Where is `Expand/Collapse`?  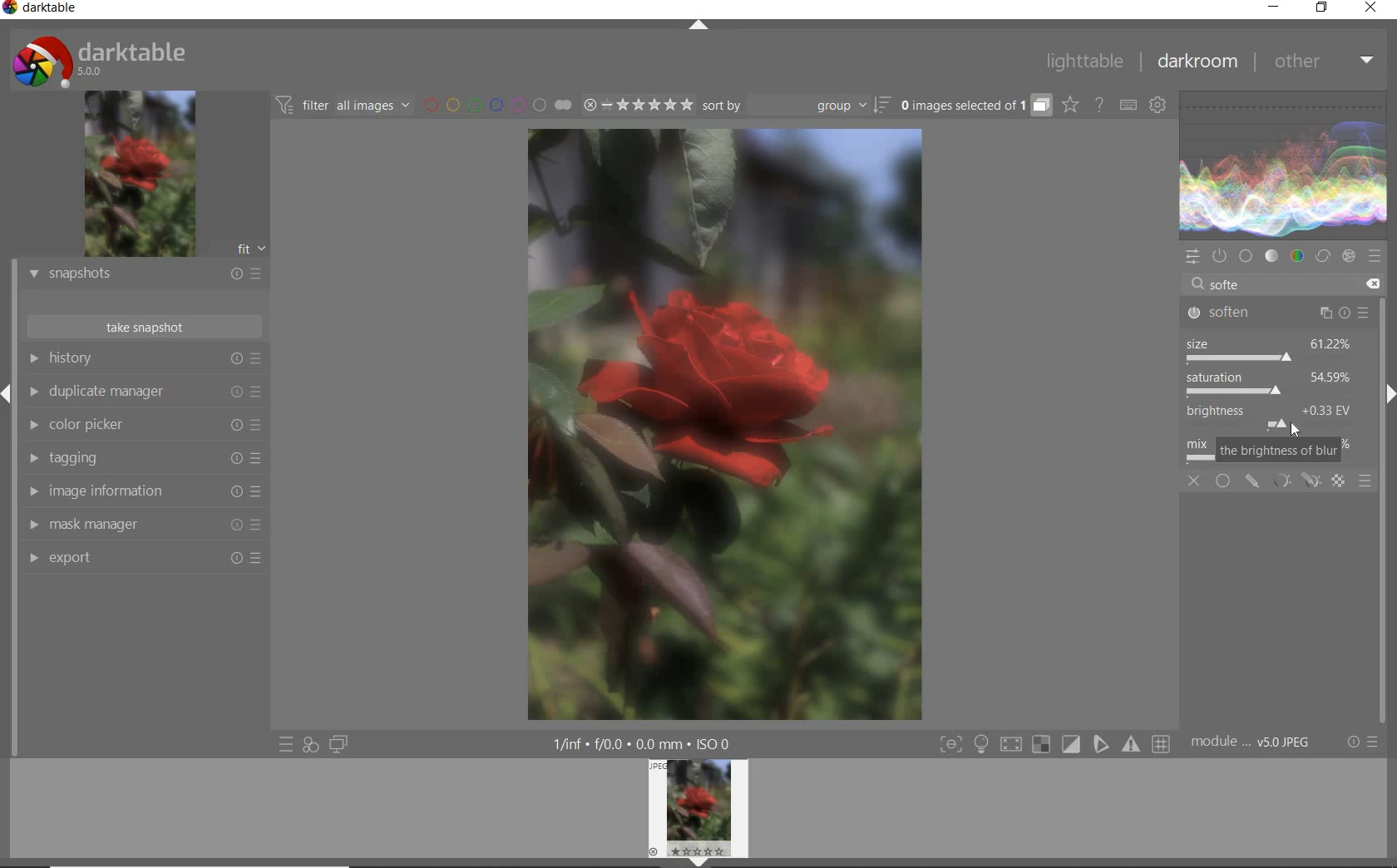
Expand/Collapse is located at coordinates (8, 392).